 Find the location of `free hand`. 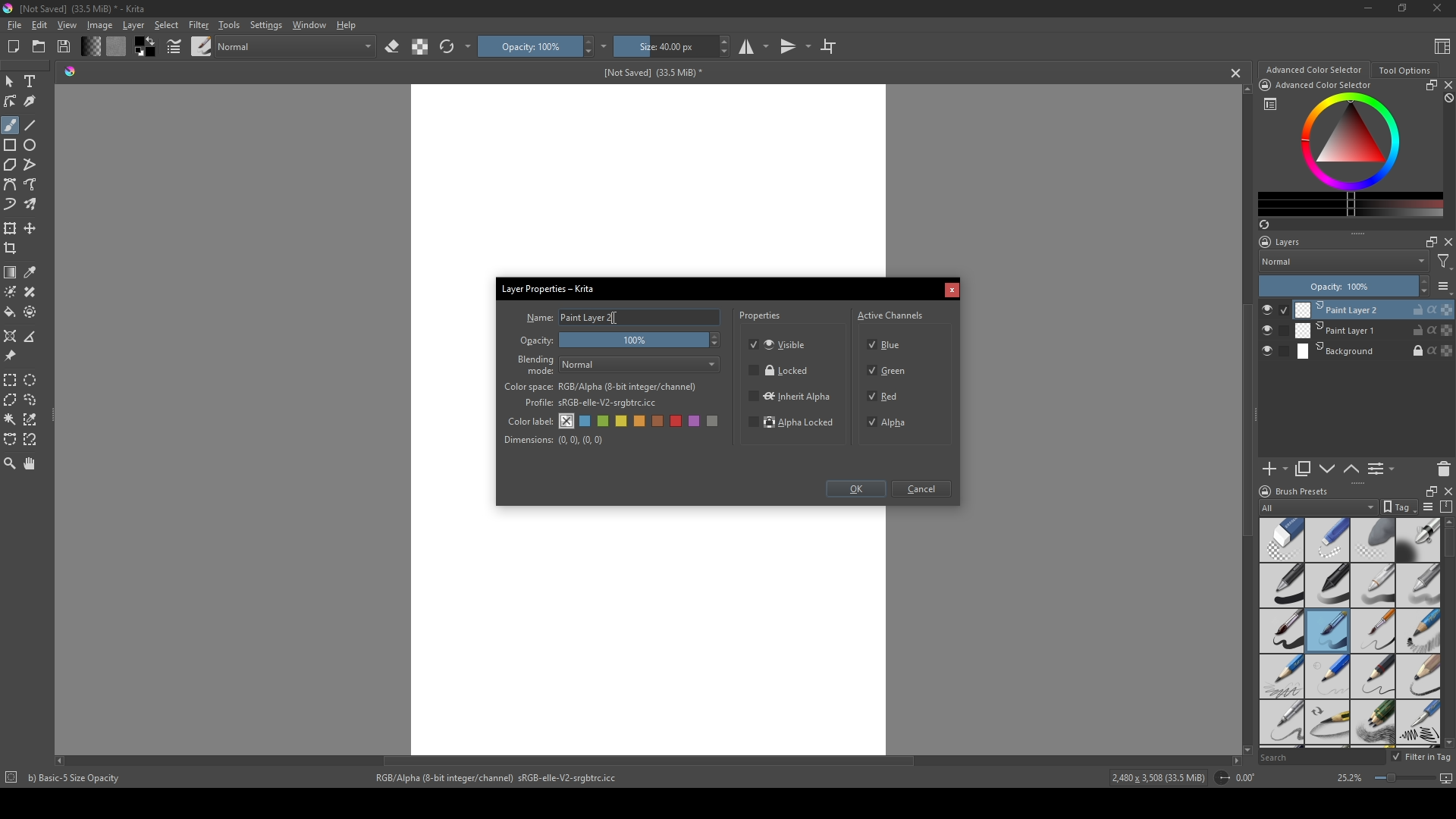

free hand is located at coordinates (32, 185).